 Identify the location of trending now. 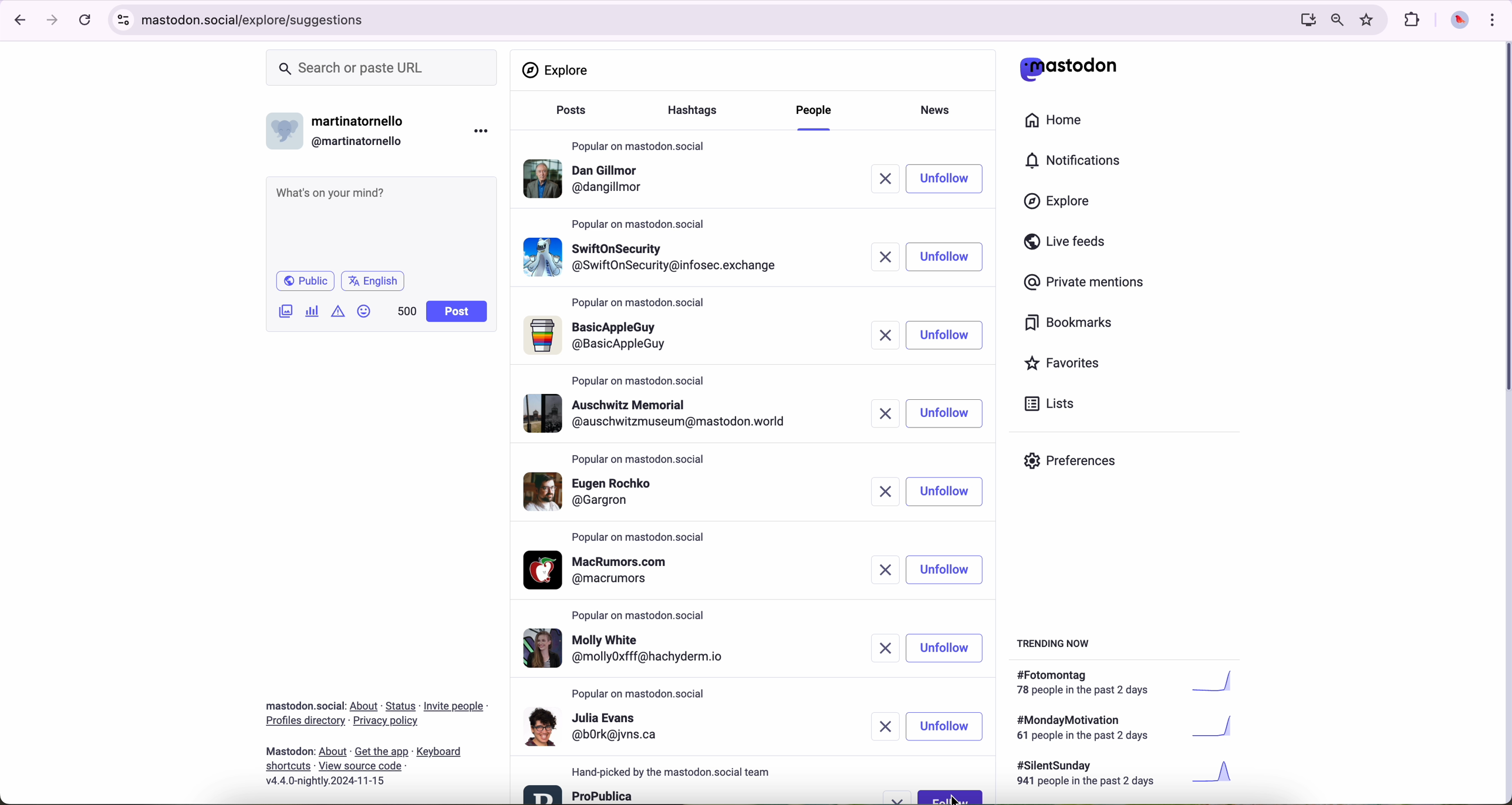
(1055, 642).